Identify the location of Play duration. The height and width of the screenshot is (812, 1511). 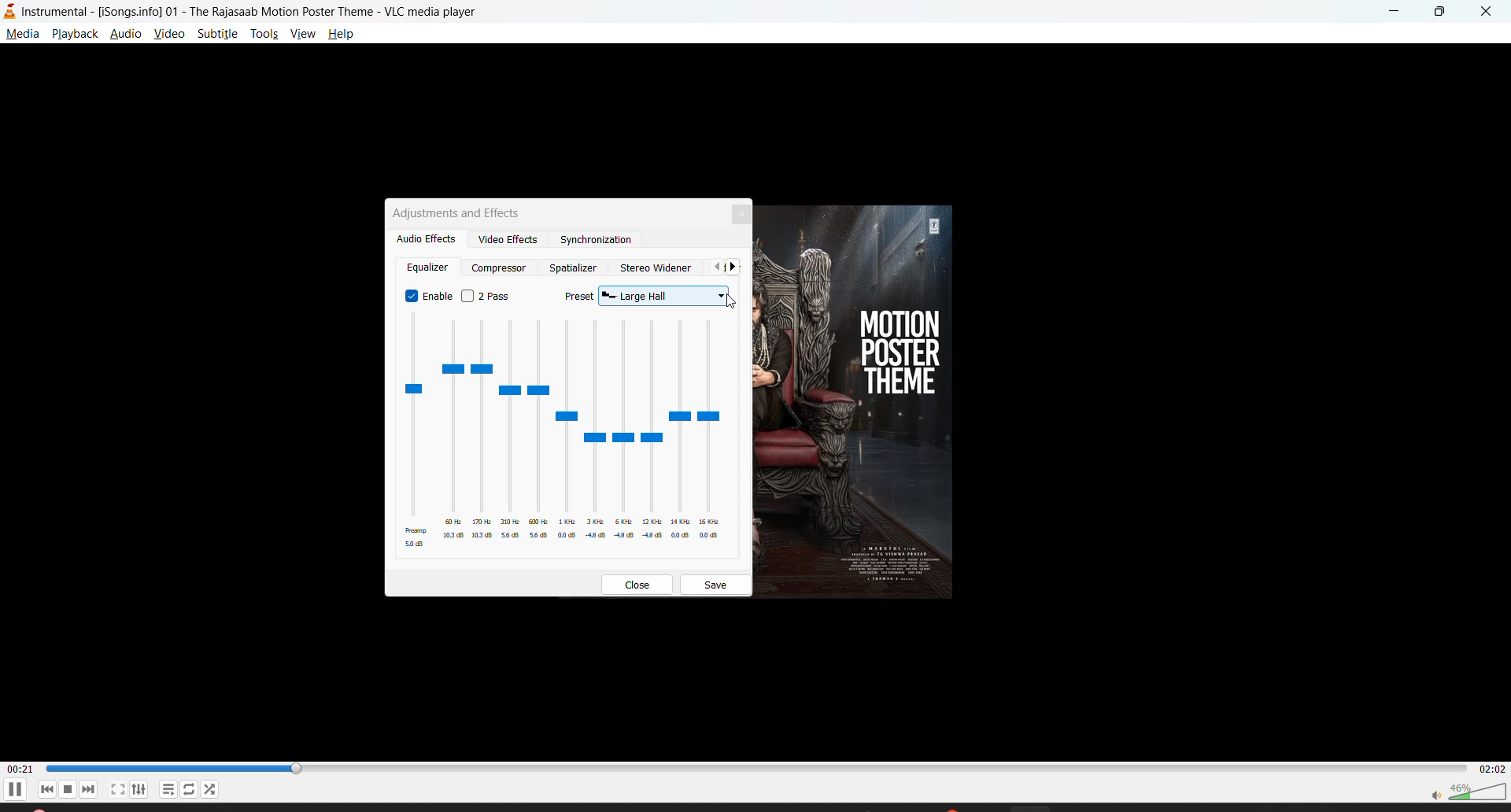
(753, 768).